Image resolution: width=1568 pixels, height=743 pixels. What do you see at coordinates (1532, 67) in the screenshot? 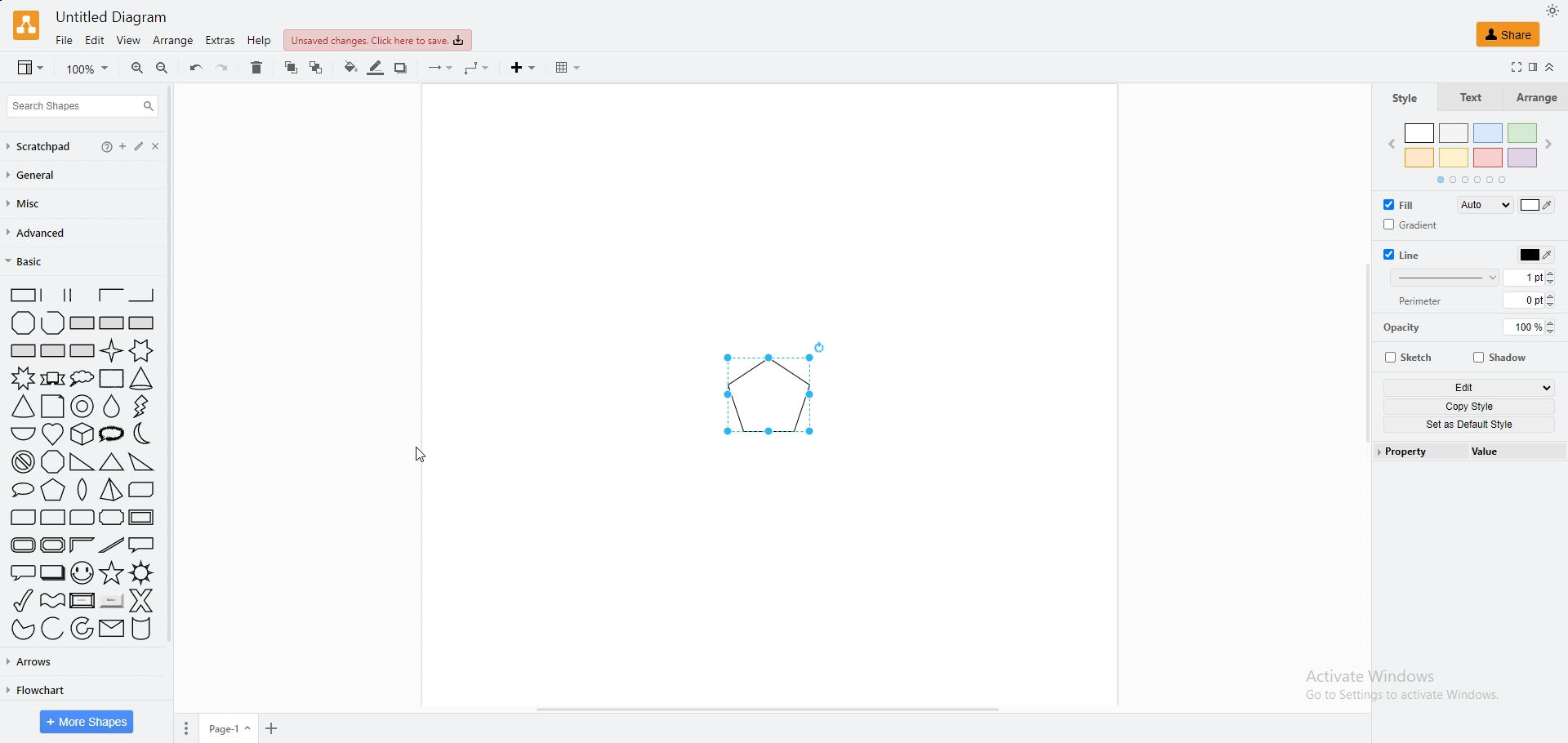
I see `format` at bounding box center [1532, 67].